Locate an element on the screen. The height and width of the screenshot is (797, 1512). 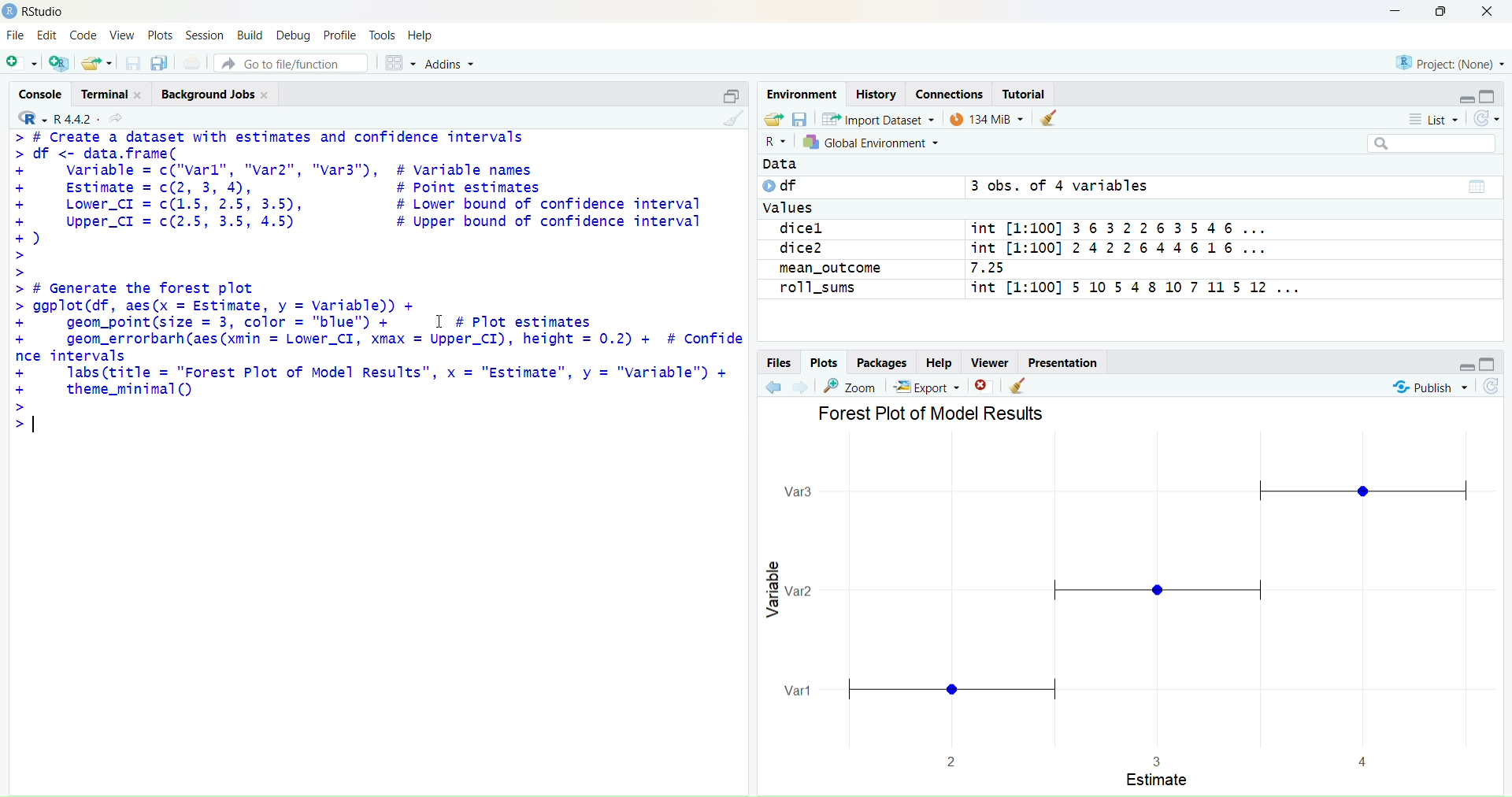
Build is located at coordinates (250, 35).